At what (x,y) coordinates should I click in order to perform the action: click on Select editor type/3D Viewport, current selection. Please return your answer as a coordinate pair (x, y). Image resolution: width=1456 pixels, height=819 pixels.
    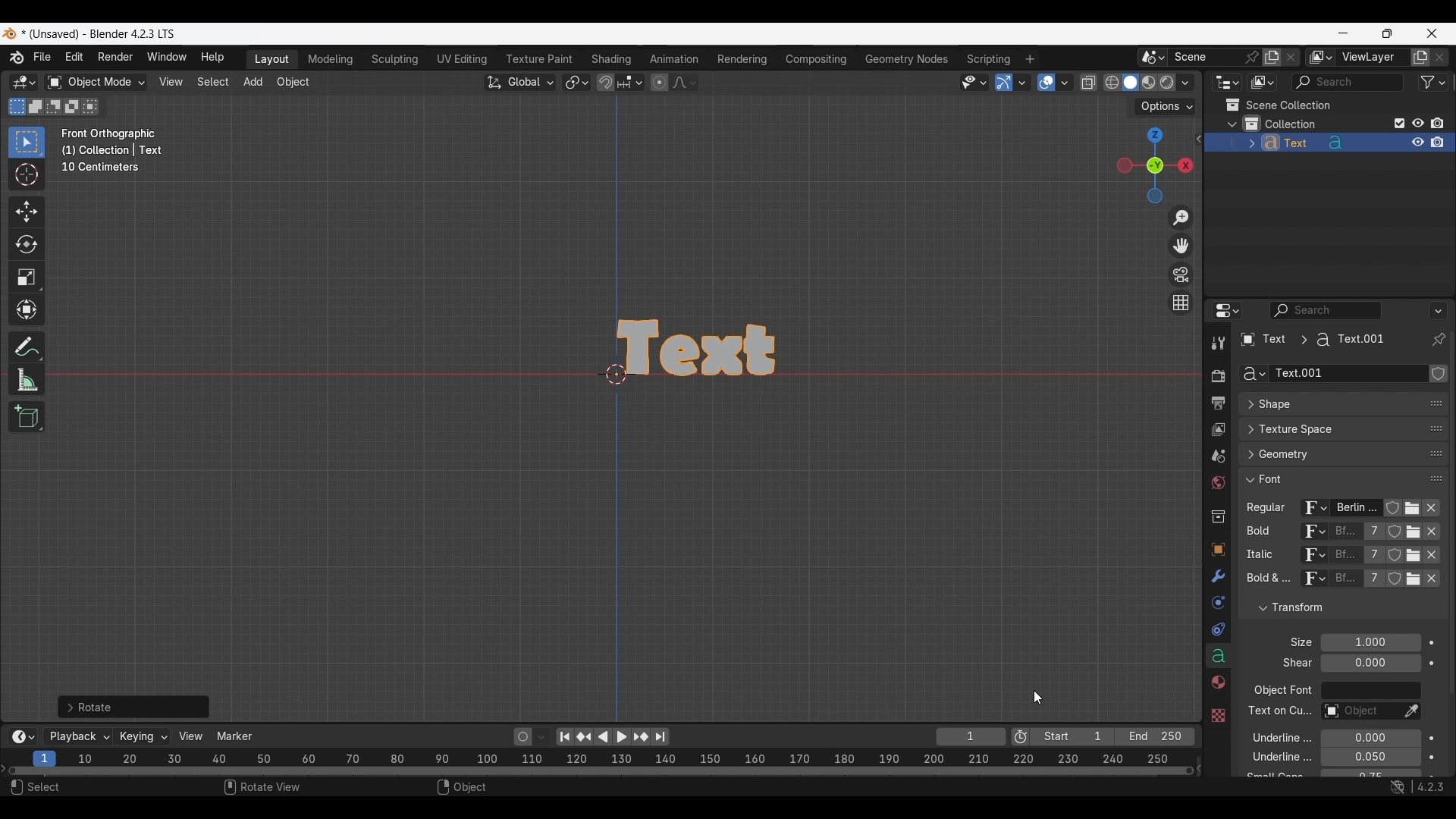
    Looking at the image, I should click on (24, 82).